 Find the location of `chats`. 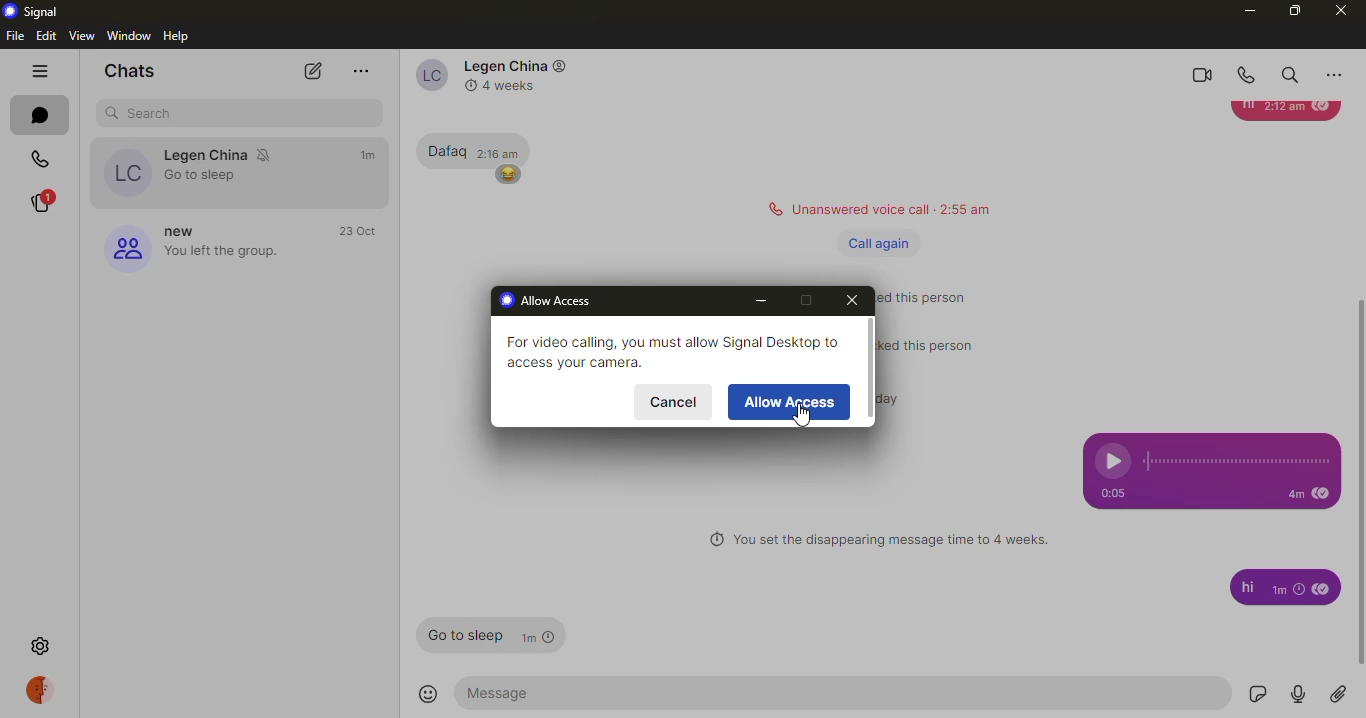

chats is located at coordinates (38, 114).